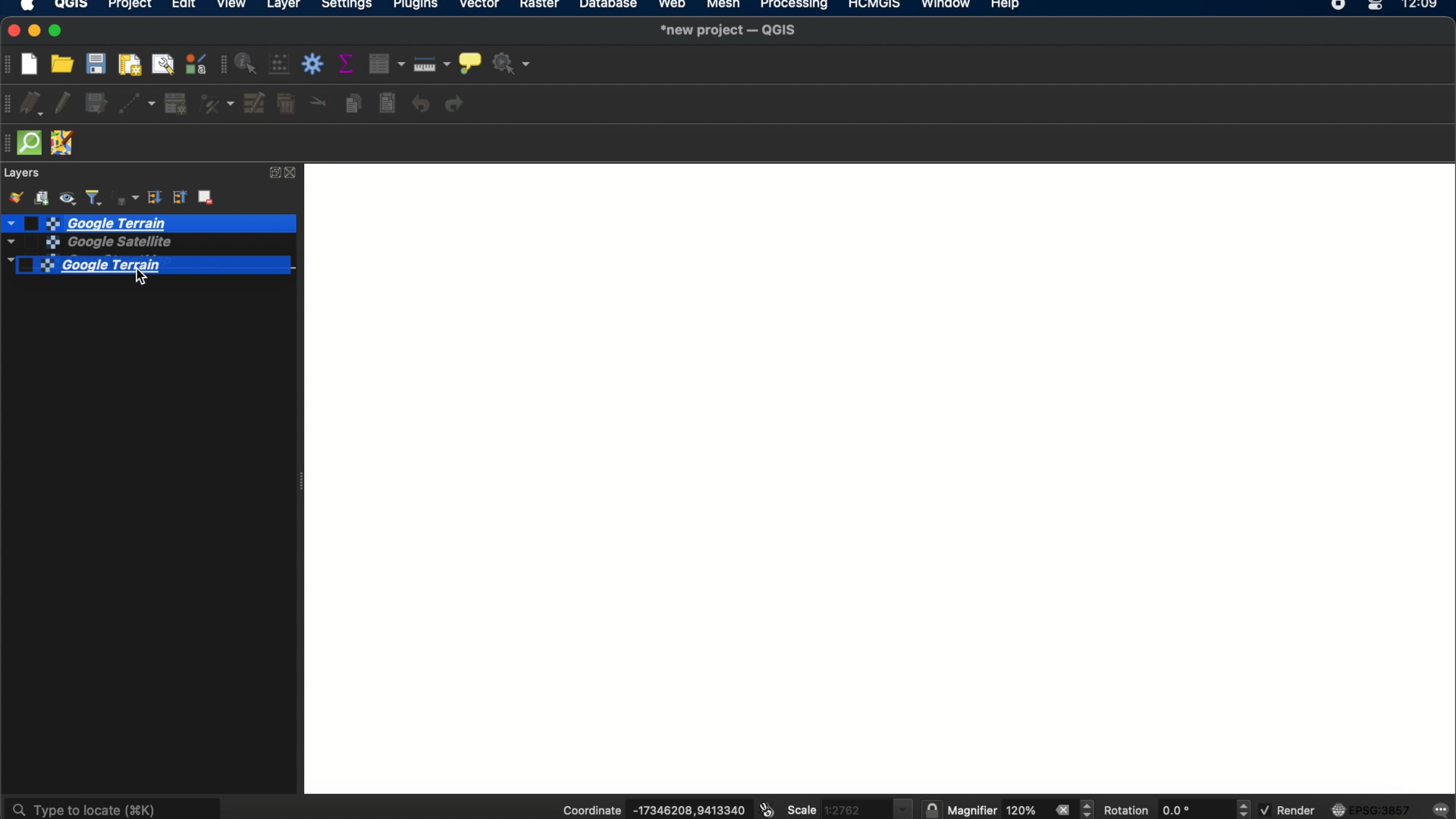 The height and width of the screenshot is (819, 1456). I want to click on apple icon, so click(33, 7).